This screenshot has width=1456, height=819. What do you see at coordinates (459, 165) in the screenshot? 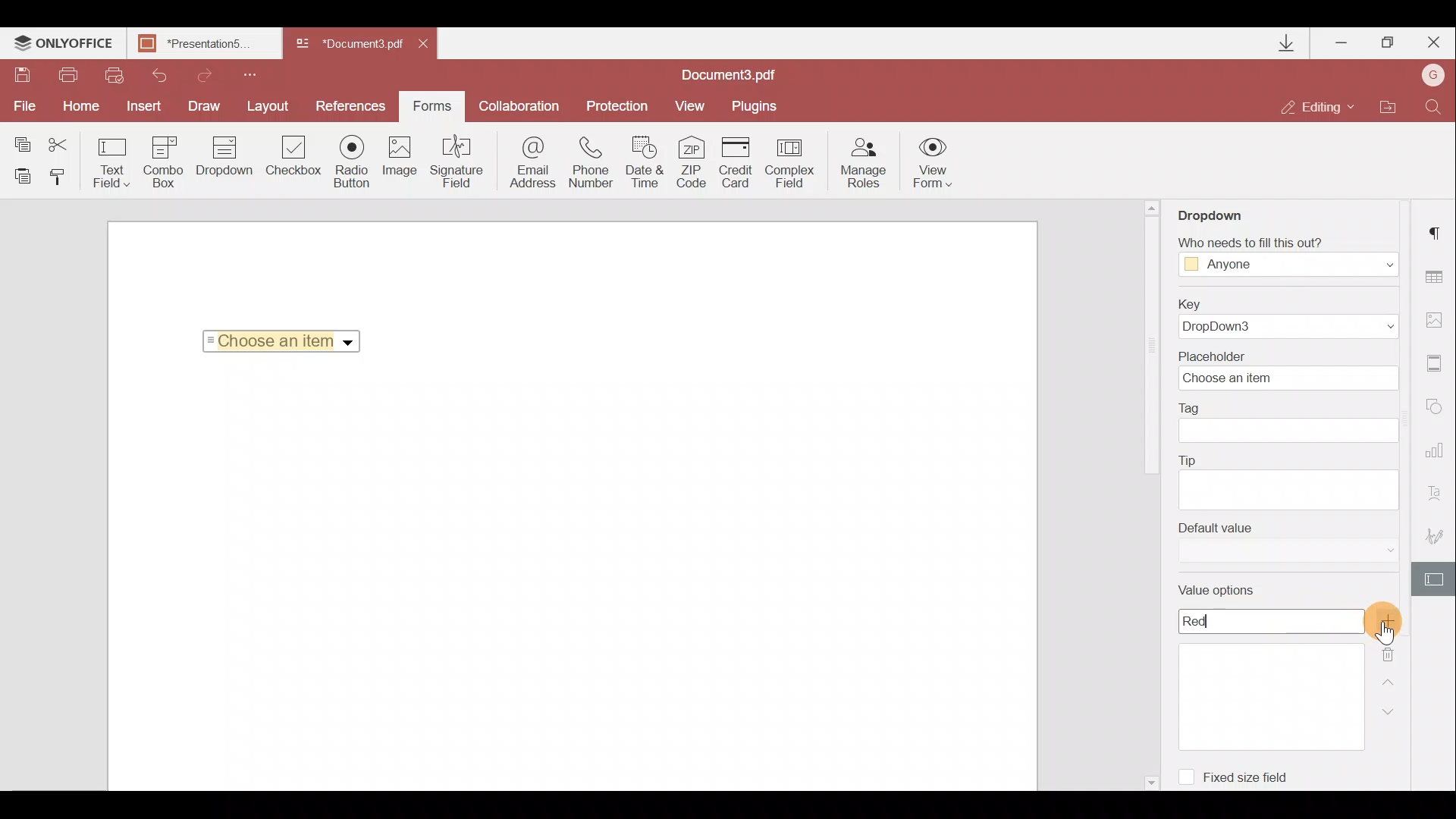
I see `Signature field` at bounding box center [459, 165].